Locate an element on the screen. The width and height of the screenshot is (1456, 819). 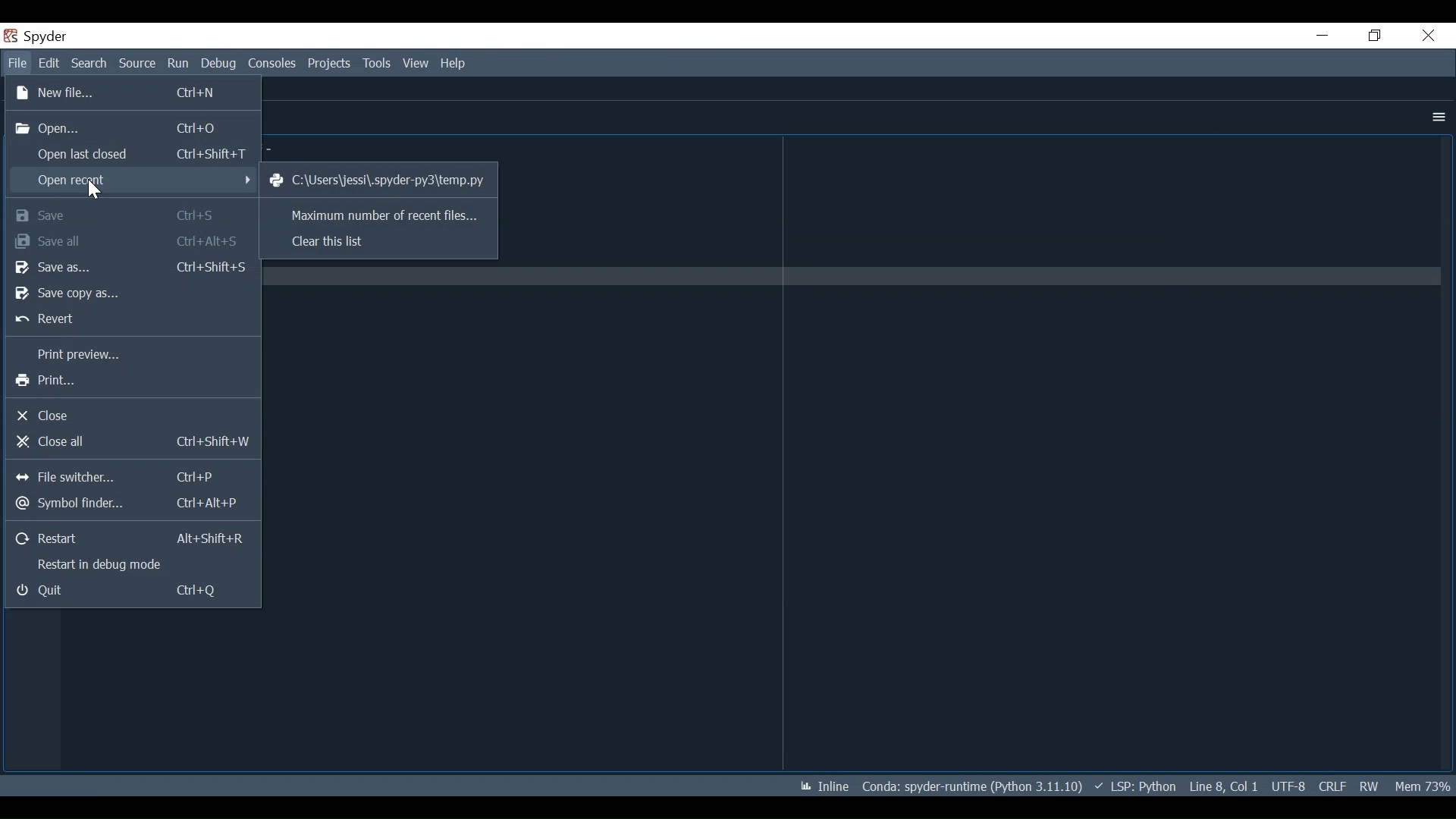
Search is located at coordinates (89, 63).